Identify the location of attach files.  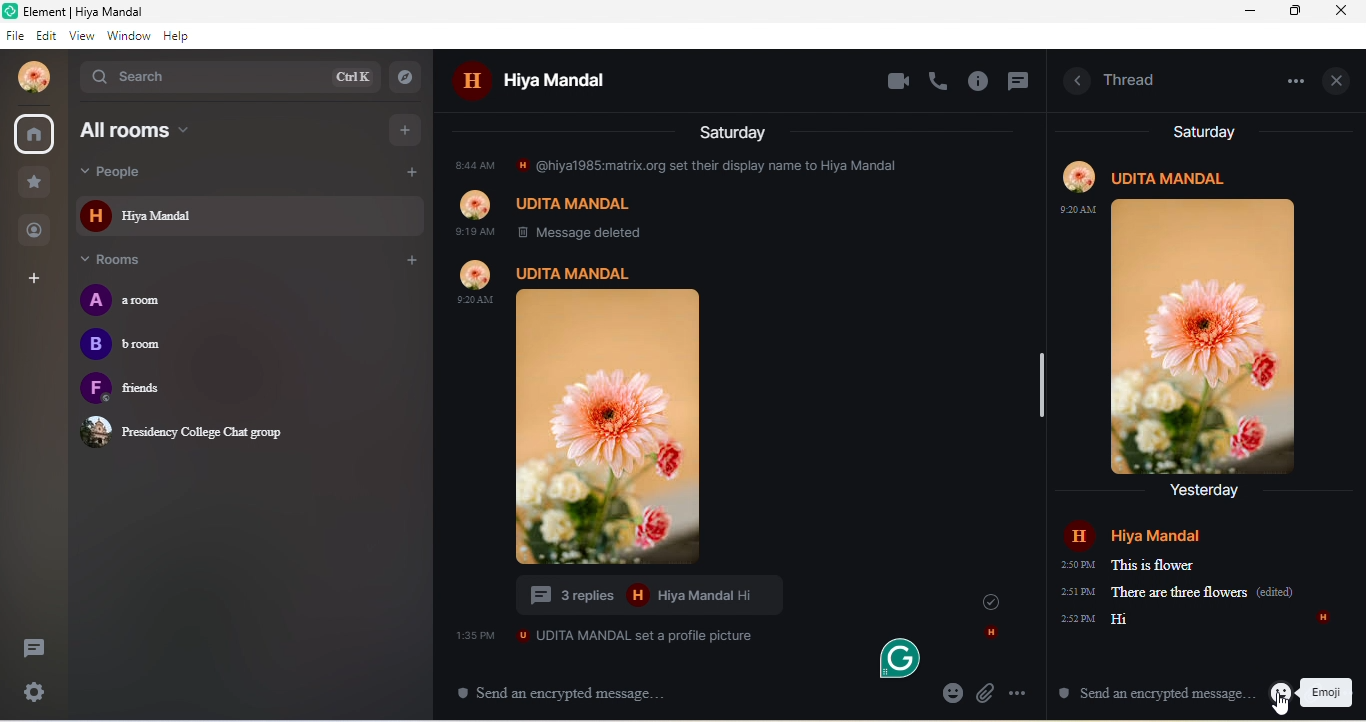
(986, 692).